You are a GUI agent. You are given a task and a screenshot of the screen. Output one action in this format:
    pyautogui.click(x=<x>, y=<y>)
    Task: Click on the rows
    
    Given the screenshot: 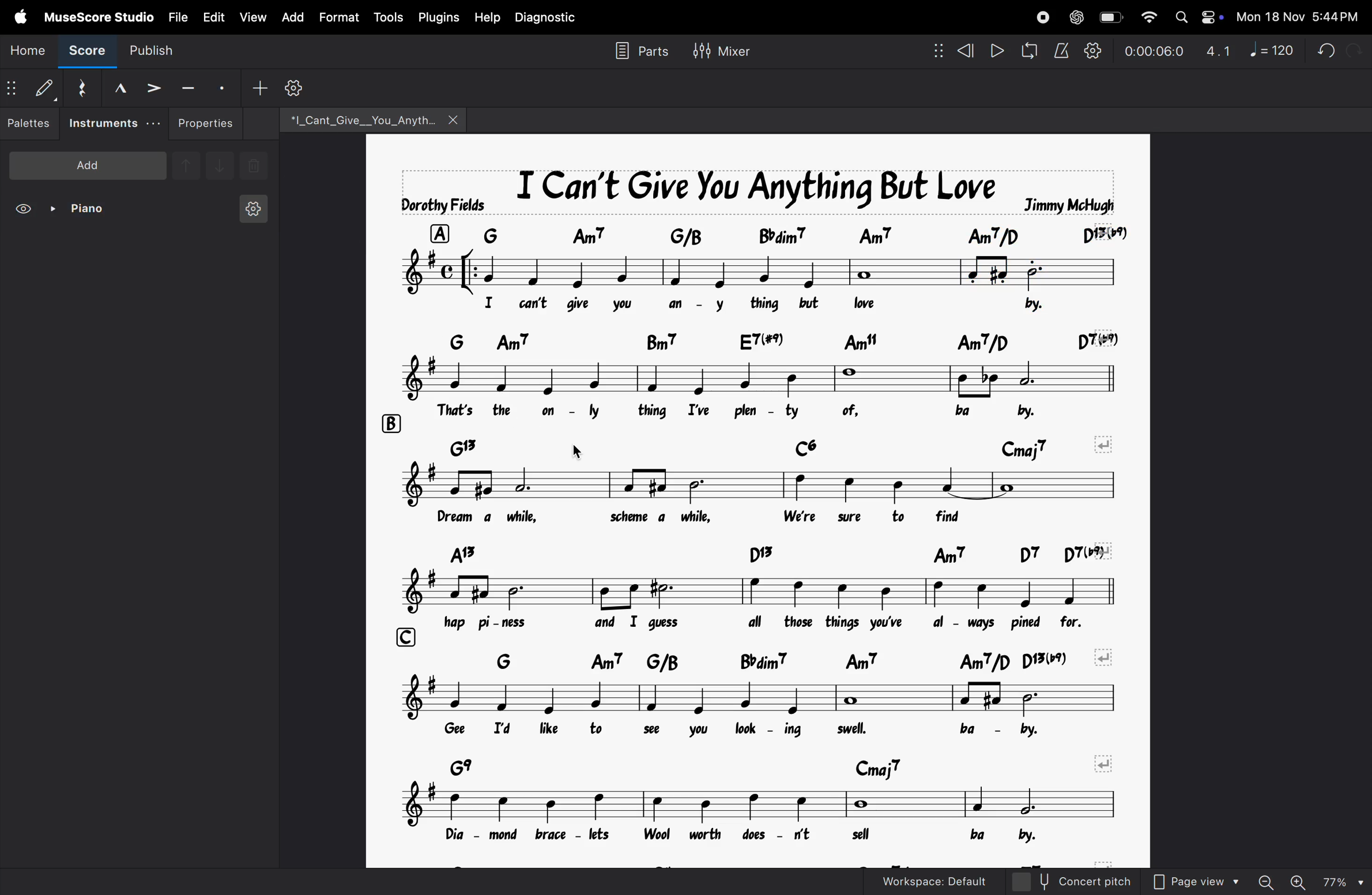 What is the action you would take?
    pyautogui.click(x=390, y=422)
    